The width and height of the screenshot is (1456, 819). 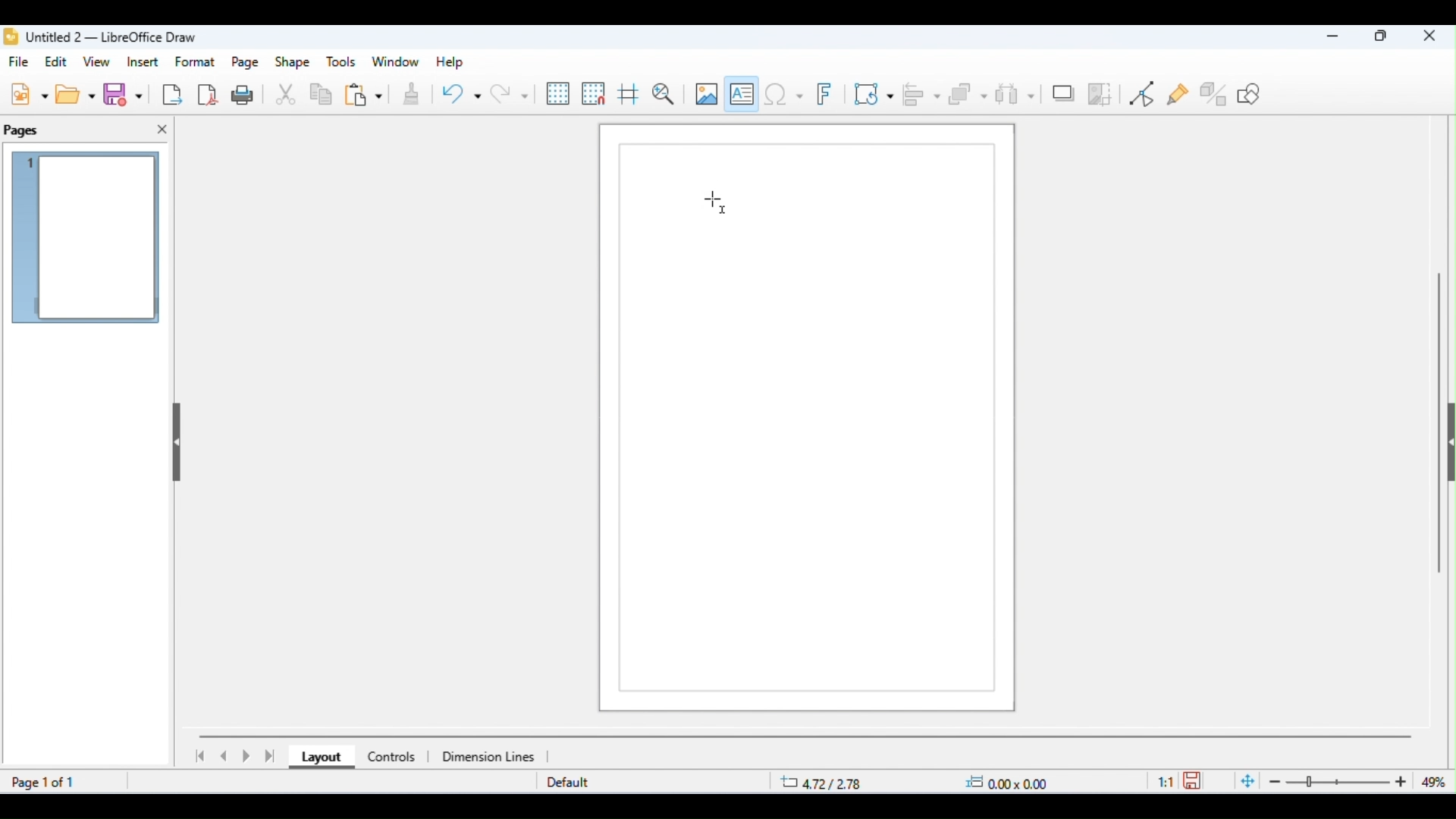 I want to click on help, so click(x=447, y=62).